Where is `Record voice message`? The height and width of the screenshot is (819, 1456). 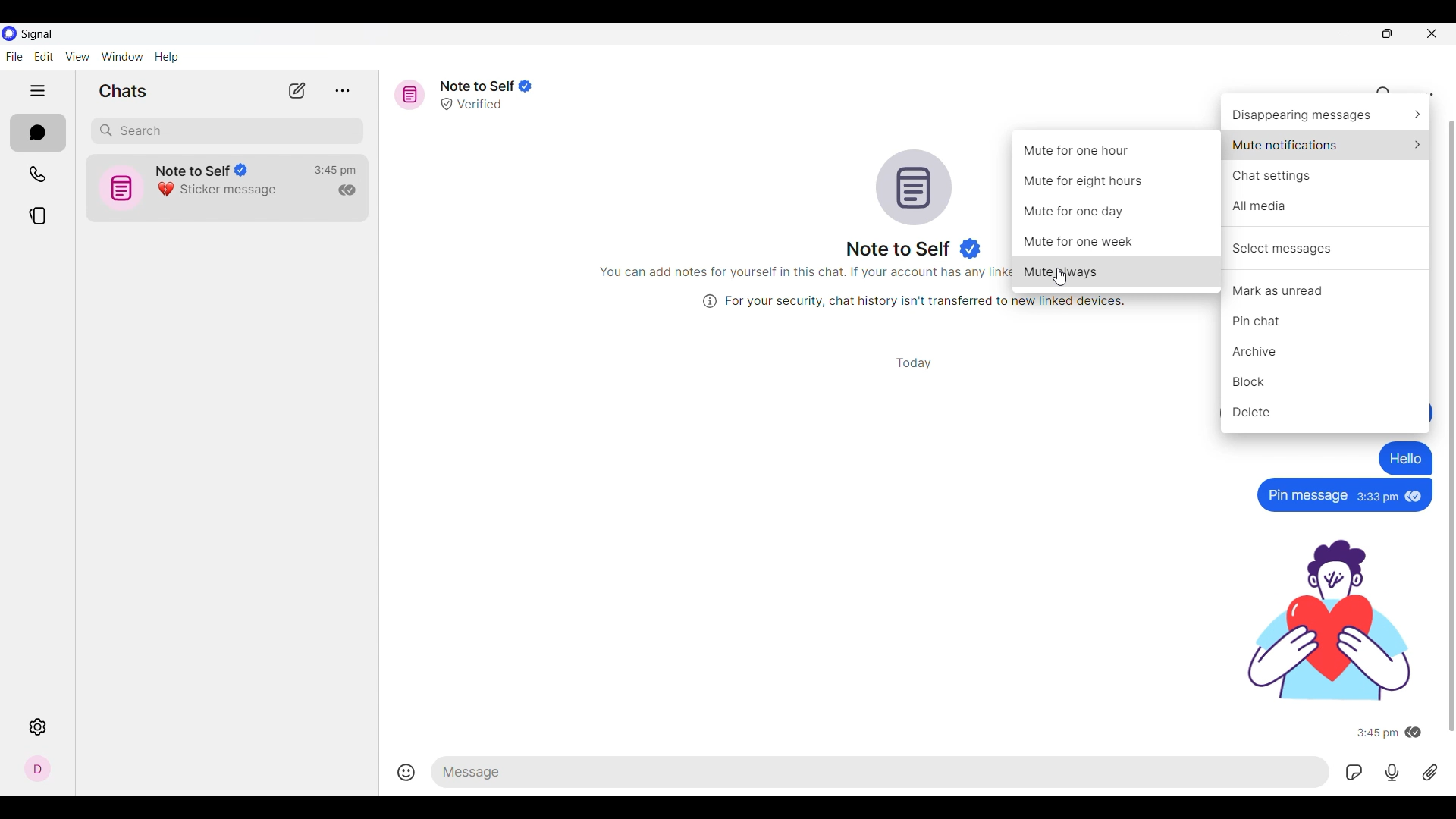 Record voice message is located at coordinates (1392, 772).